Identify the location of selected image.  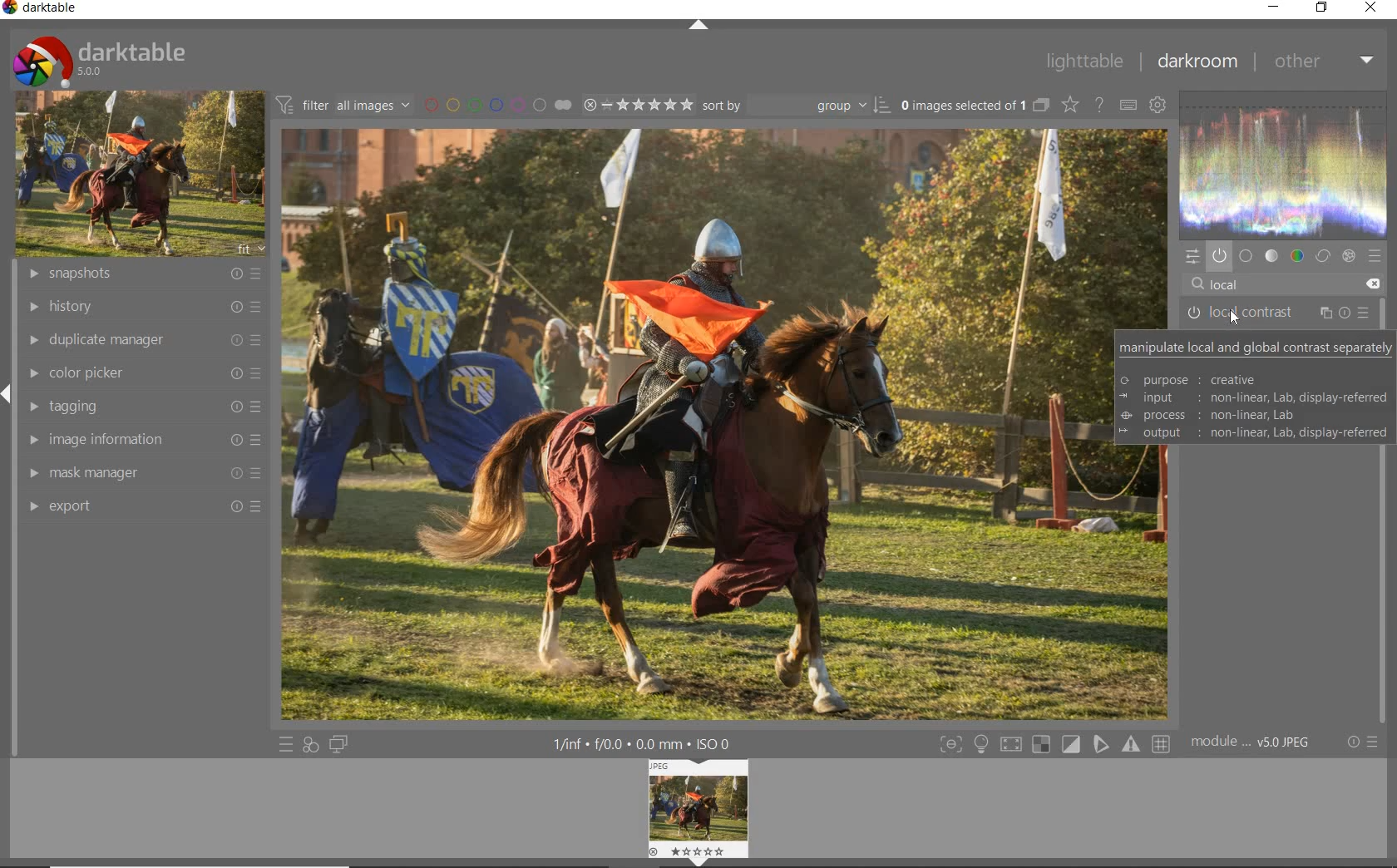
(689, 422).